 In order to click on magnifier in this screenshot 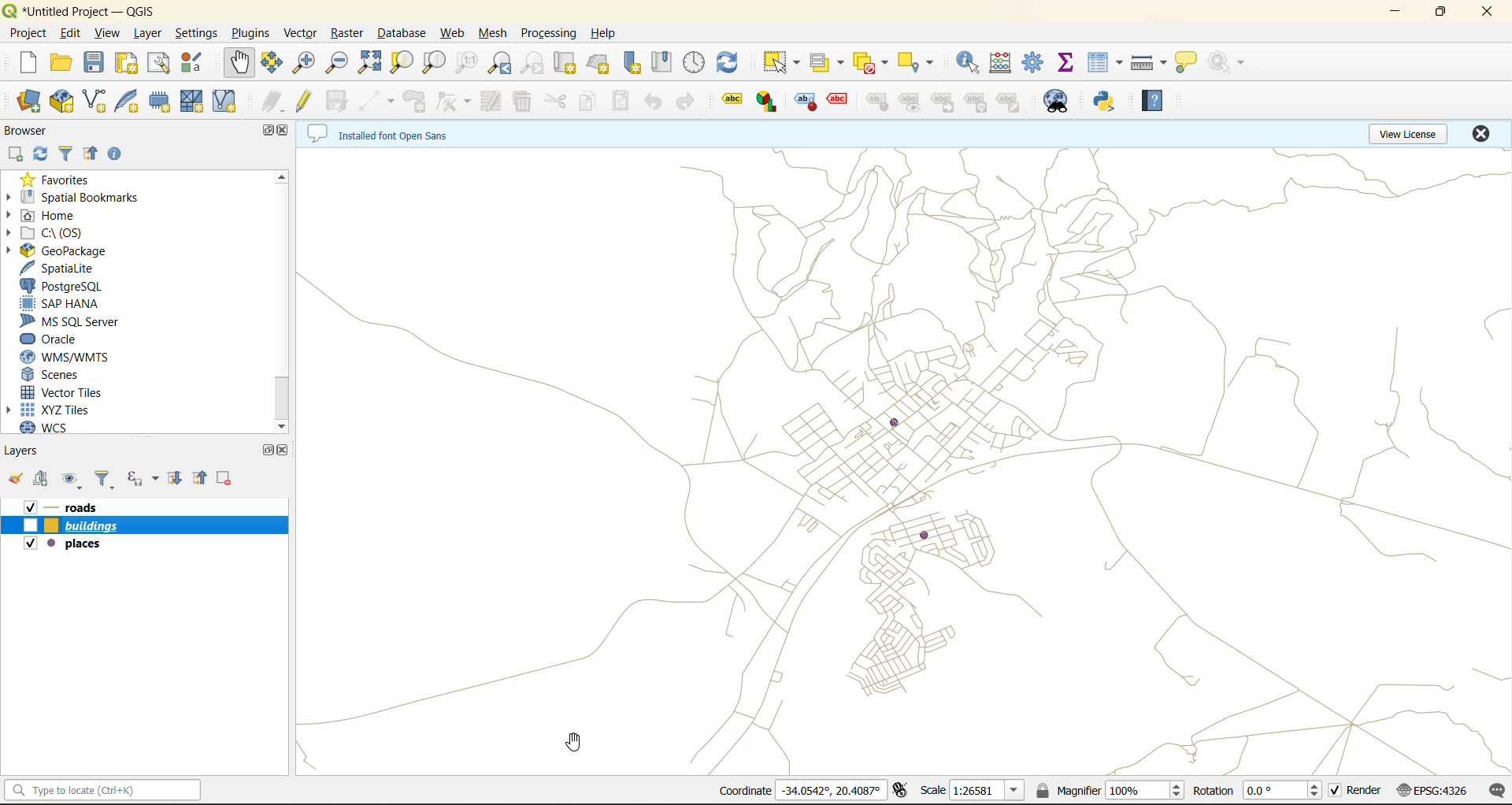, I will do `click(1110, 792)`.